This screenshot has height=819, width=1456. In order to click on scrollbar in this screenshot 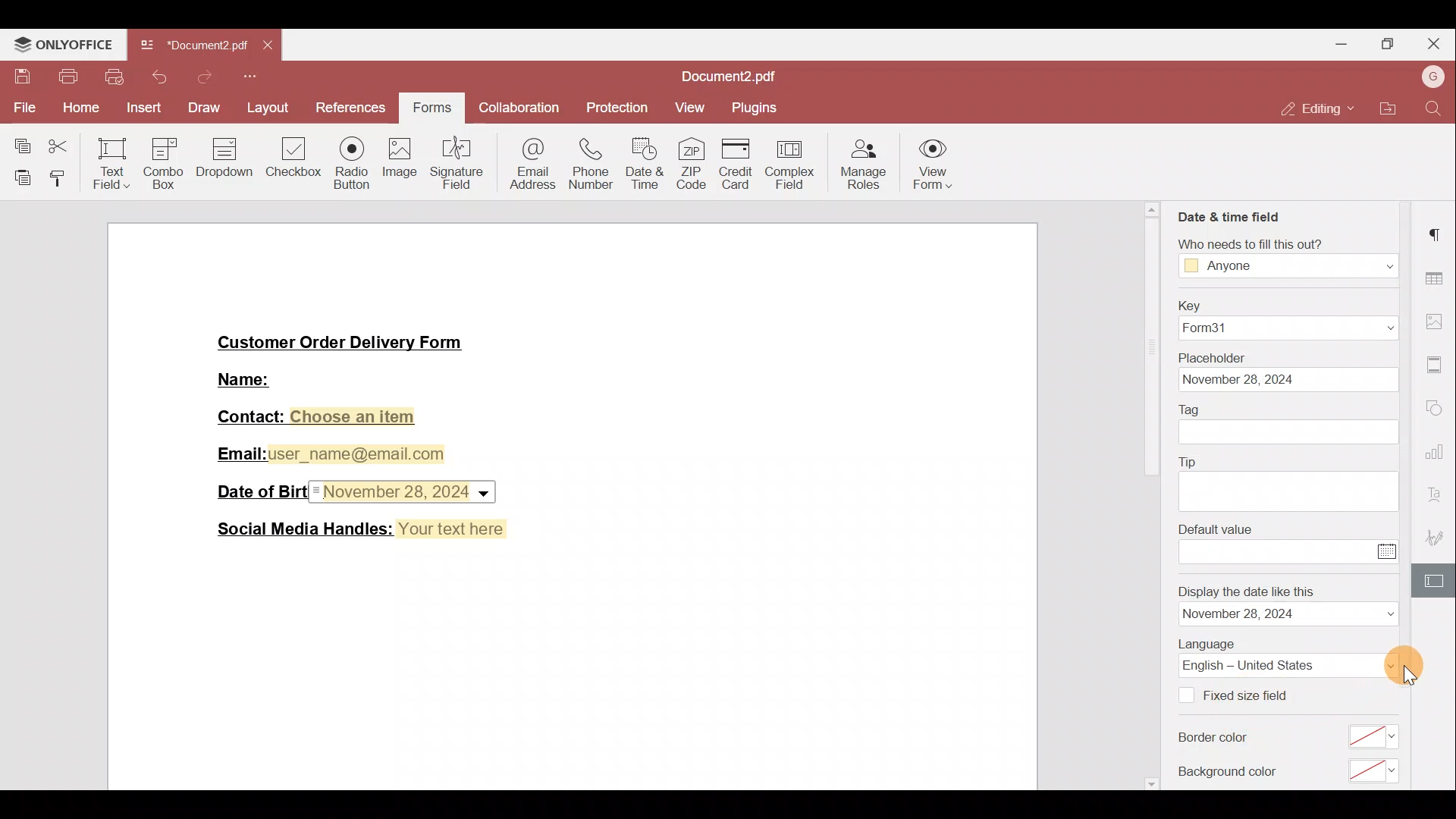, I will do `click(1153, 496)`.